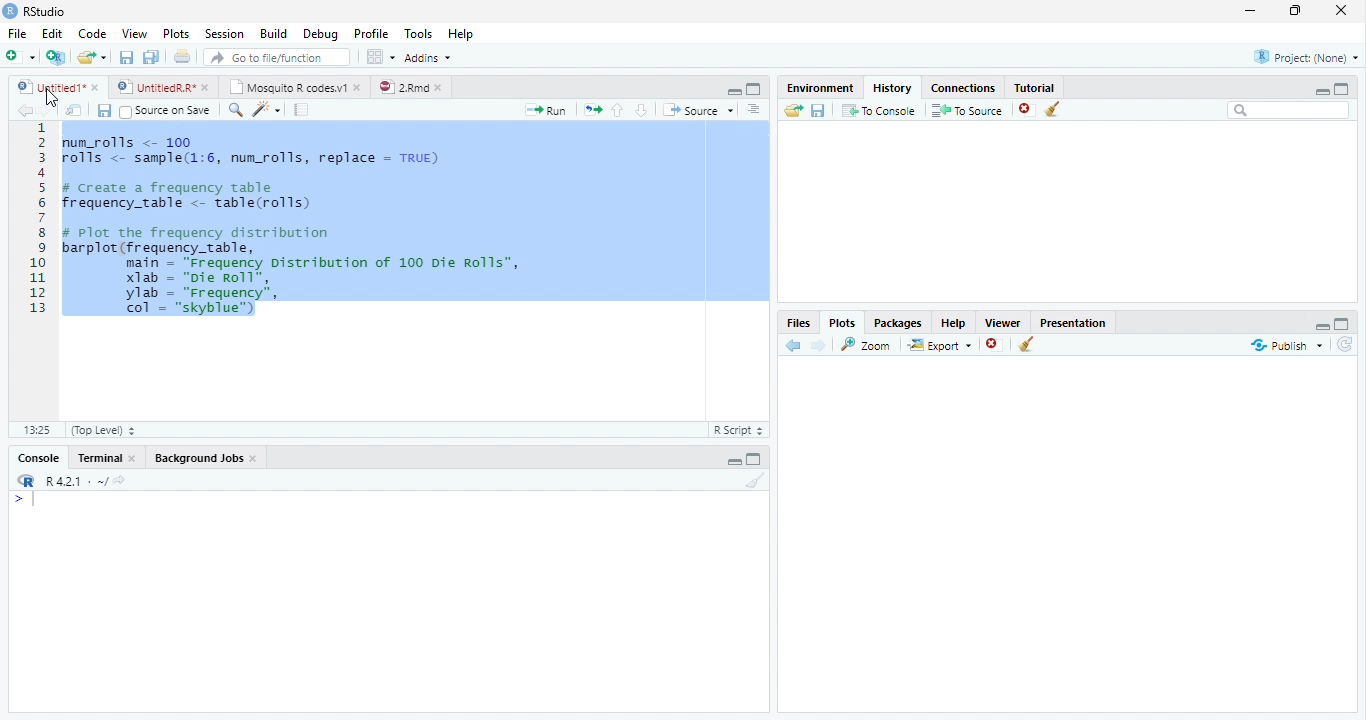 The image size is (1366, 720). I want to click on Save all open files, so click(151, 57).